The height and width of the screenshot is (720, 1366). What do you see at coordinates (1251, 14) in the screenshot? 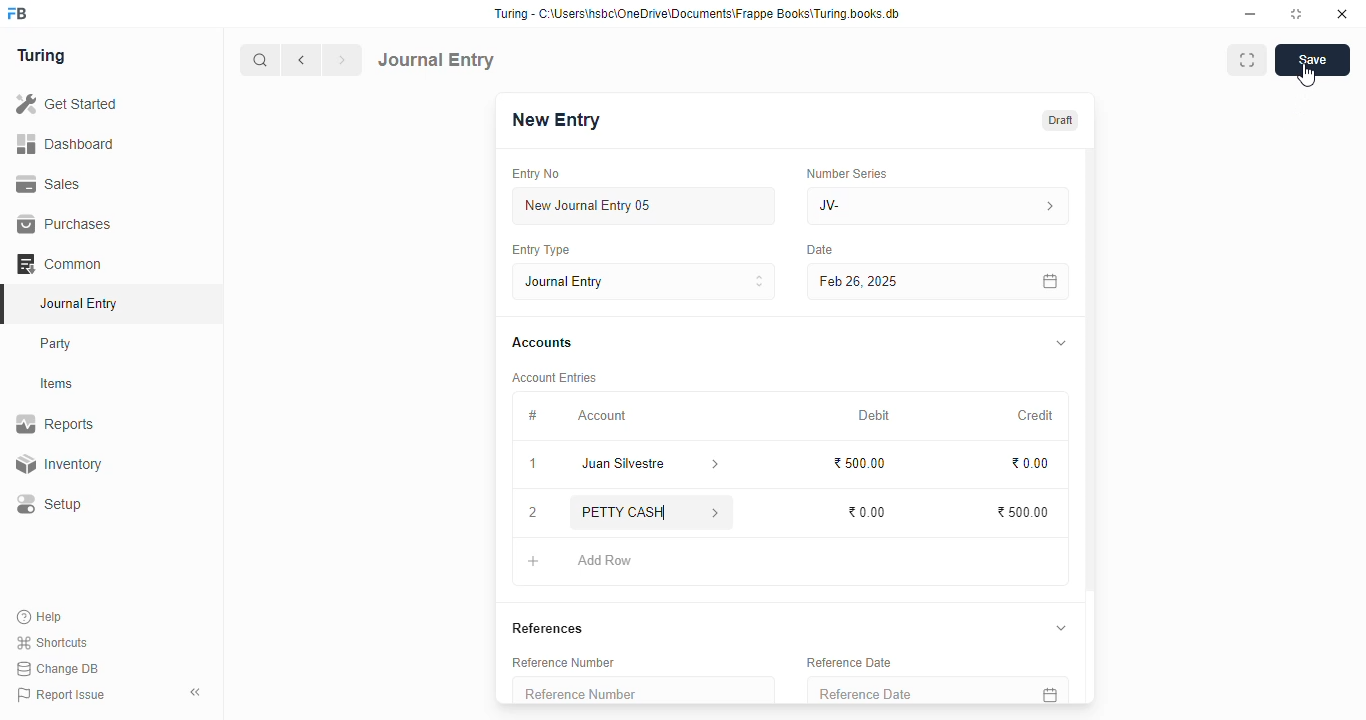
I see `minimize` at bounding box center [1251, 14].